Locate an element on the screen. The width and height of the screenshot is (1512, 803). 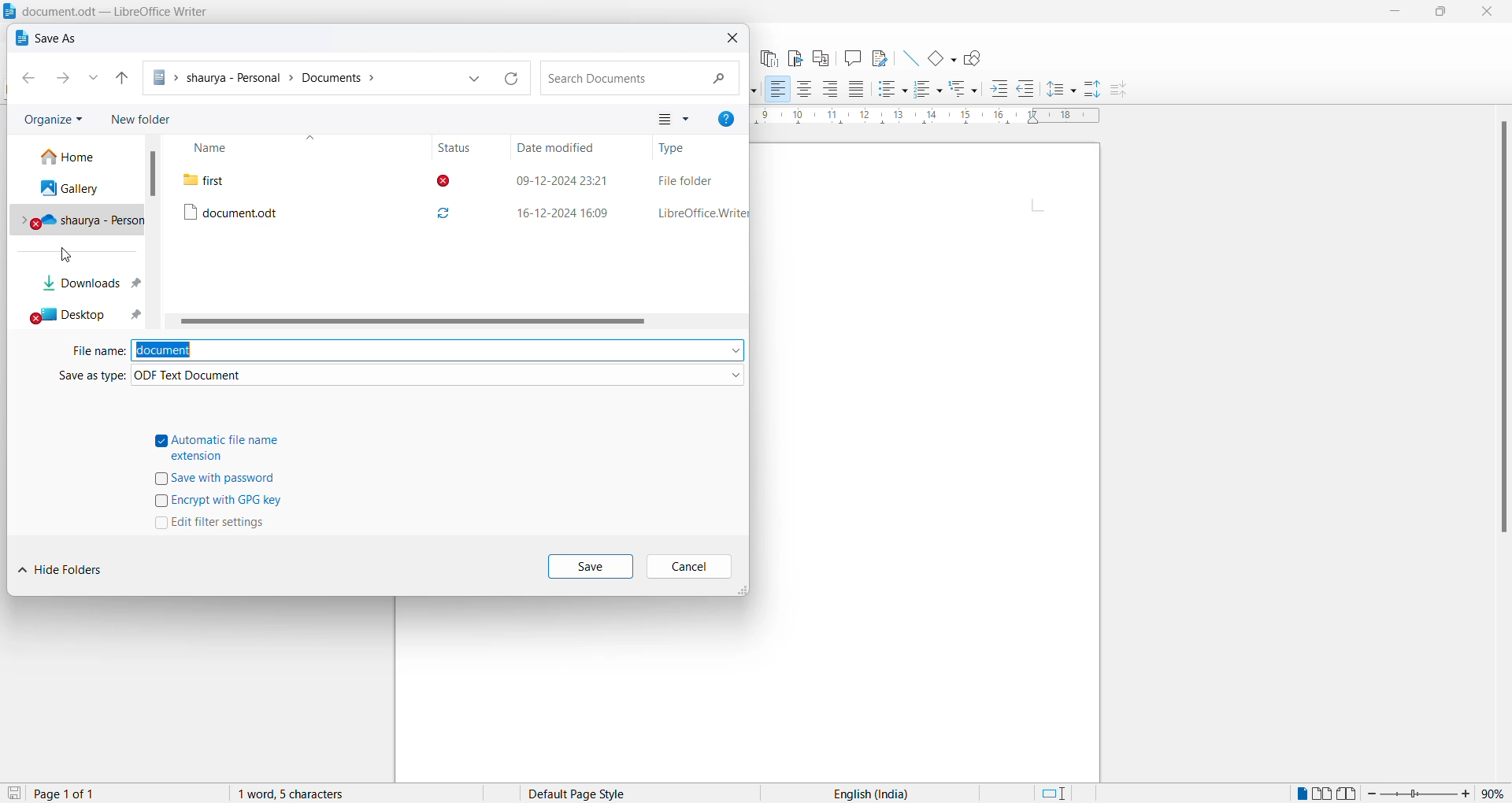
standard selection is located at coordinates (1059, 794).